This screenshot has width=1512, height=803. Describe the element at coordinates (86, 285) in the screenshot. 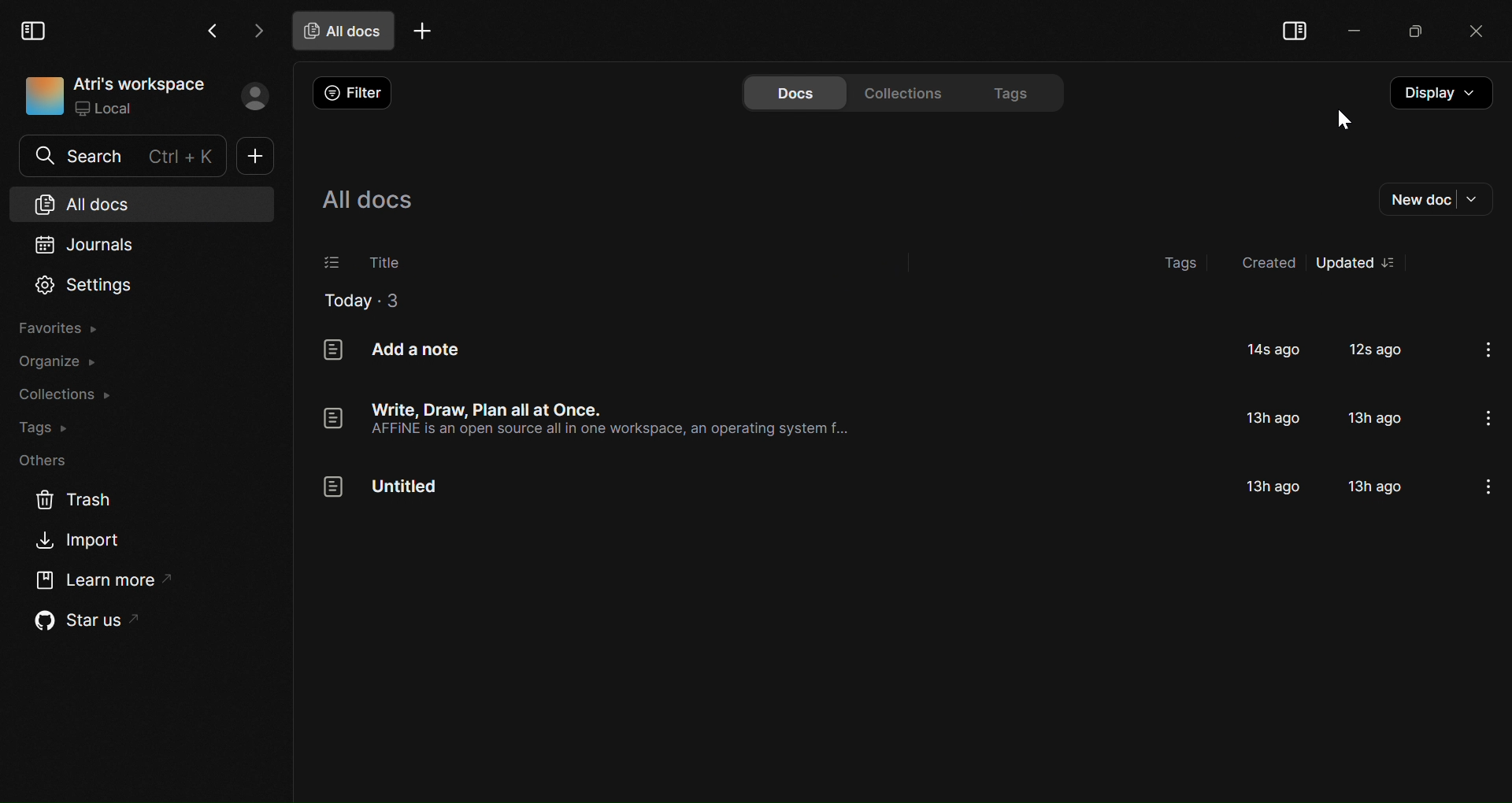

I see `Settings` at that location.